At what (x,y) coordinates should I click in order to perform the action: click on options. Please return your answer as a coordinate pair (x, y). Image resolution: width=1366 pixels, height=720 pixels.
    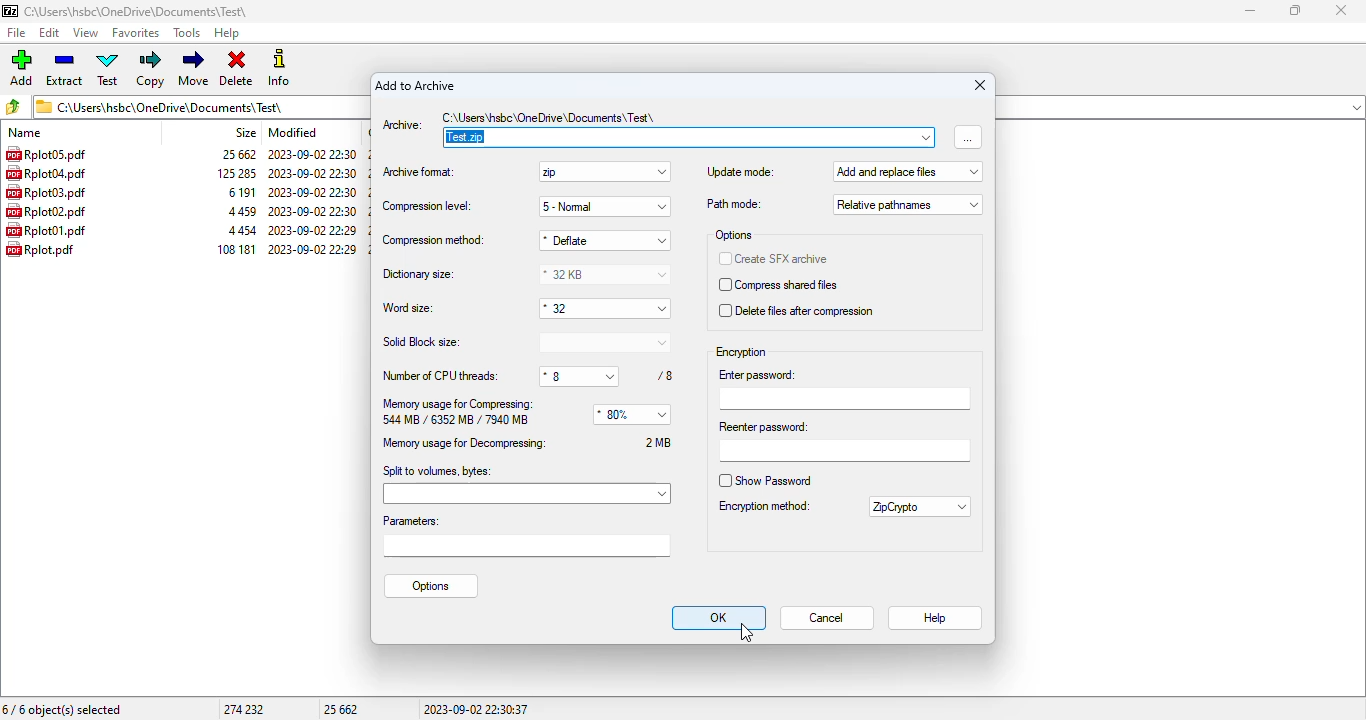
    Looking at the image, I should click on (431, 587).